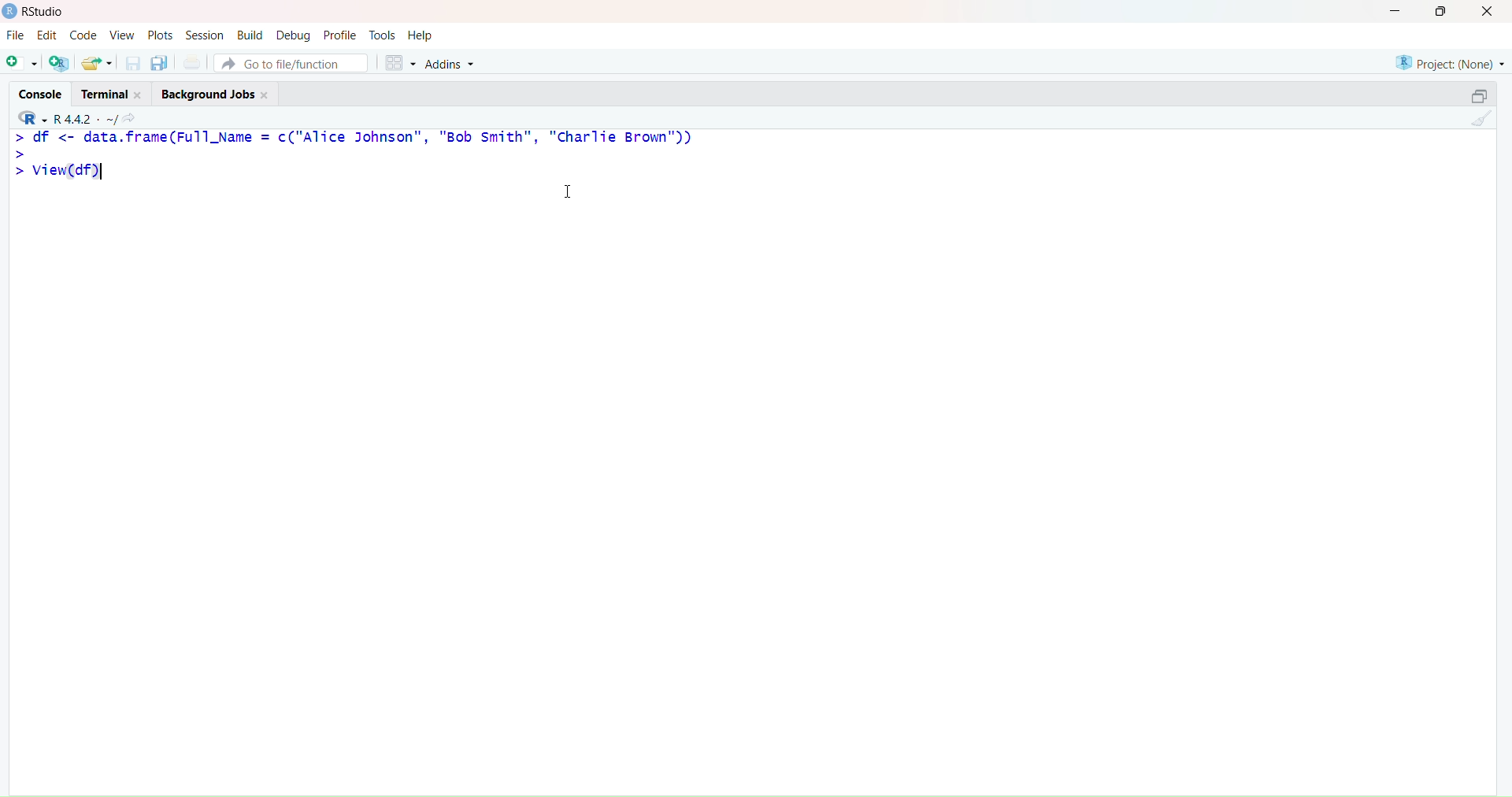 This screenshot has height=797, width=1512. Describe the element at coordinates (122, 35) in the screenshot. I see `View` at that location.